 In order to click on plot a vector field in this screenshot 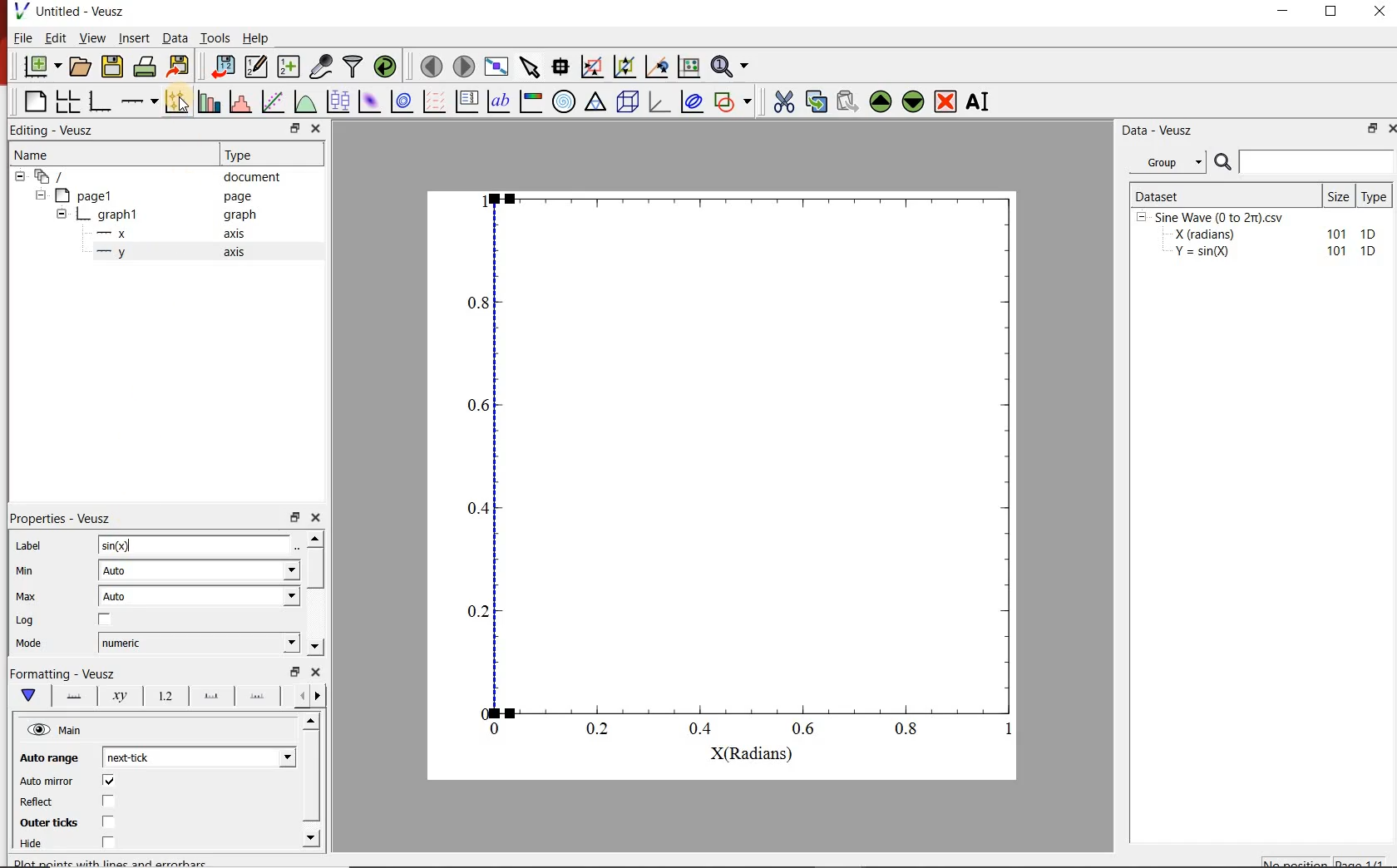, I will do `click(435, 101)`.